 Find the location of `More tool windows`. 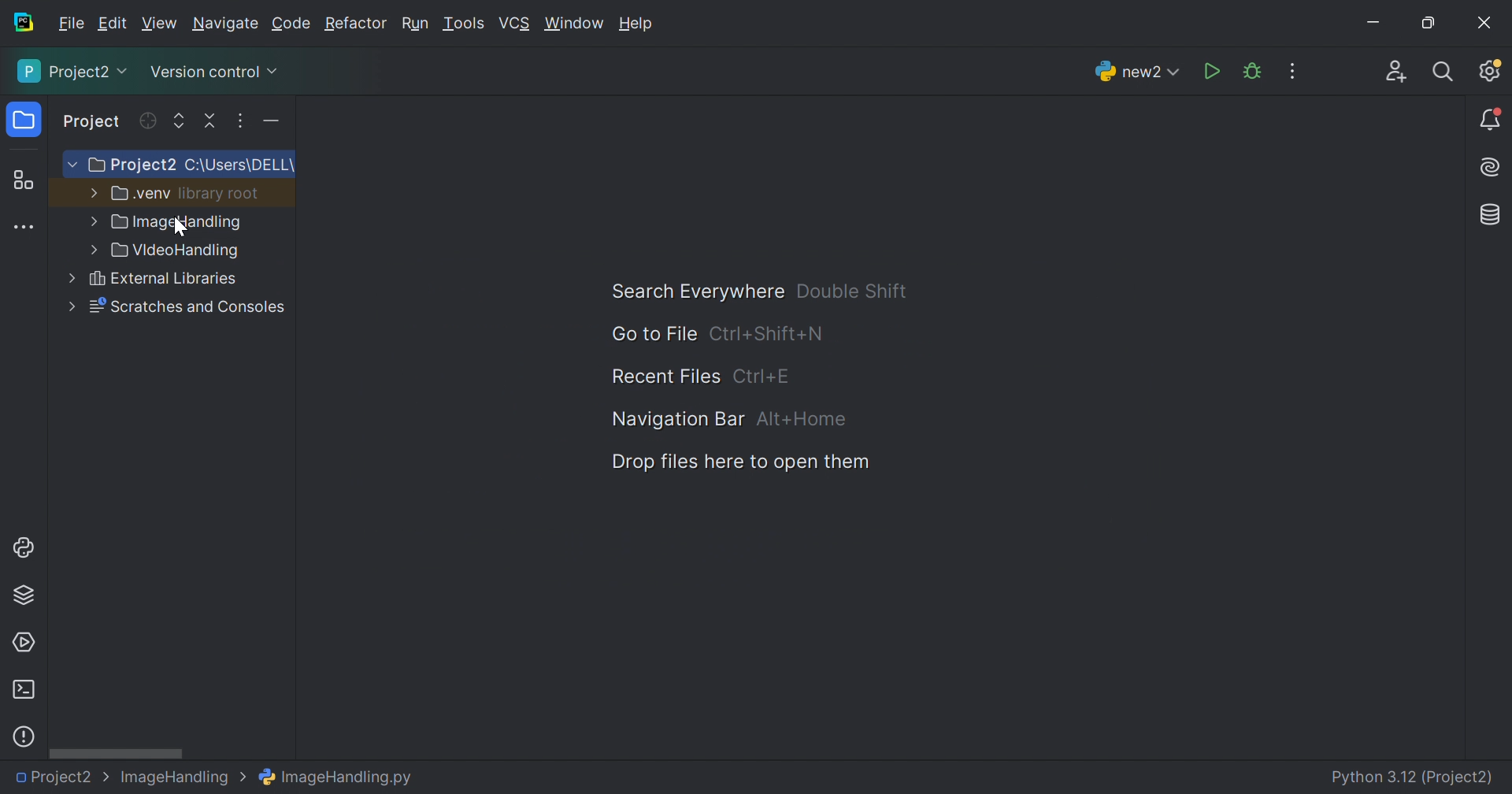

More tool windows is located at coordinates (26, 228).